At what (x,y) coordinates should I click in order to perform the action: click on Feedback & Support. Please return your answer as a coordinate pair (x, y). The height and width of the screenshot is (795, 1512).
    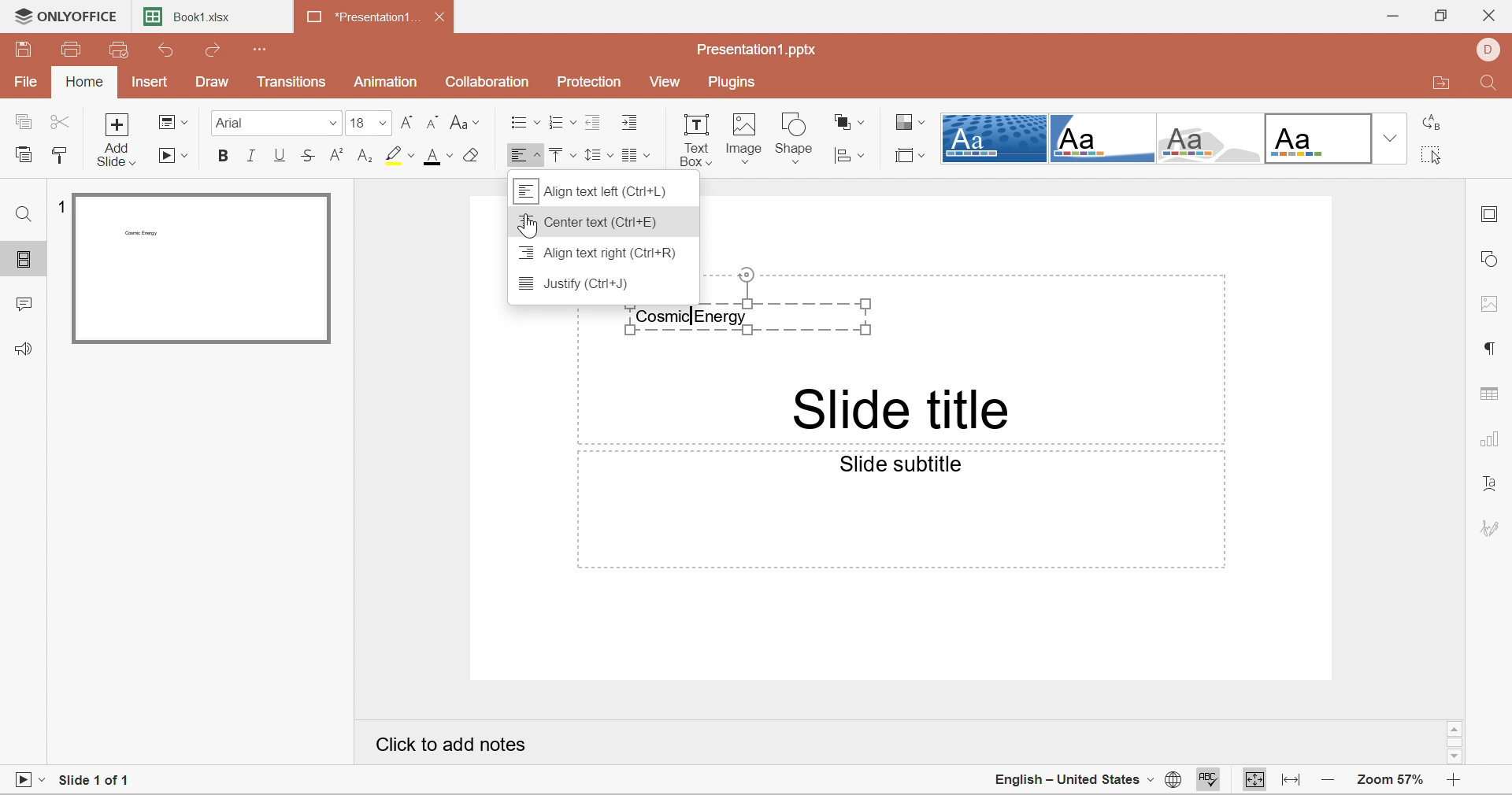
    Looking at the image, I should click on (23, 349).